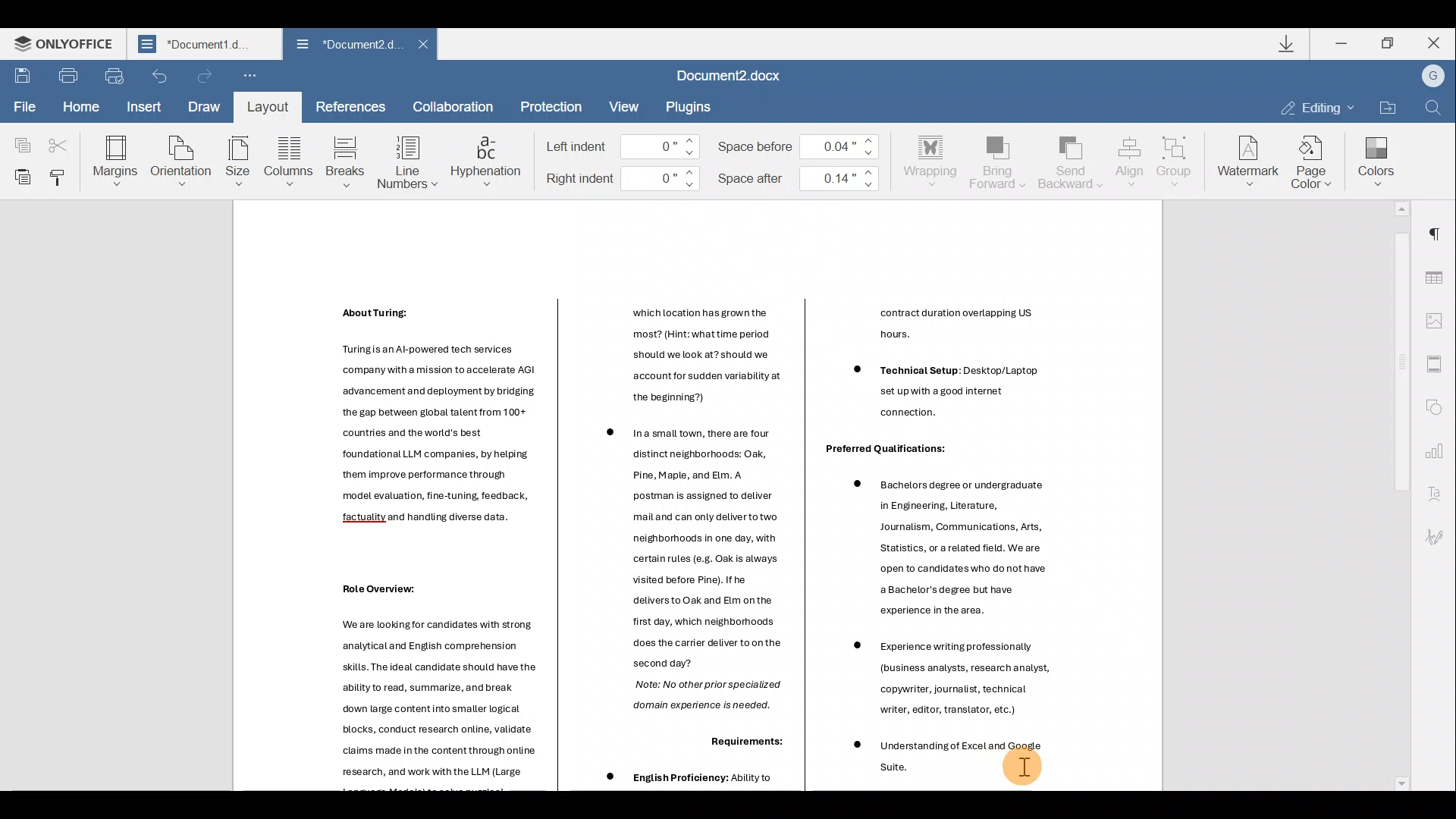 The image size is (1456, 819). Describe the element at coordinates (1441, 452) in the screenshot. I see `Chart settings` at that location.